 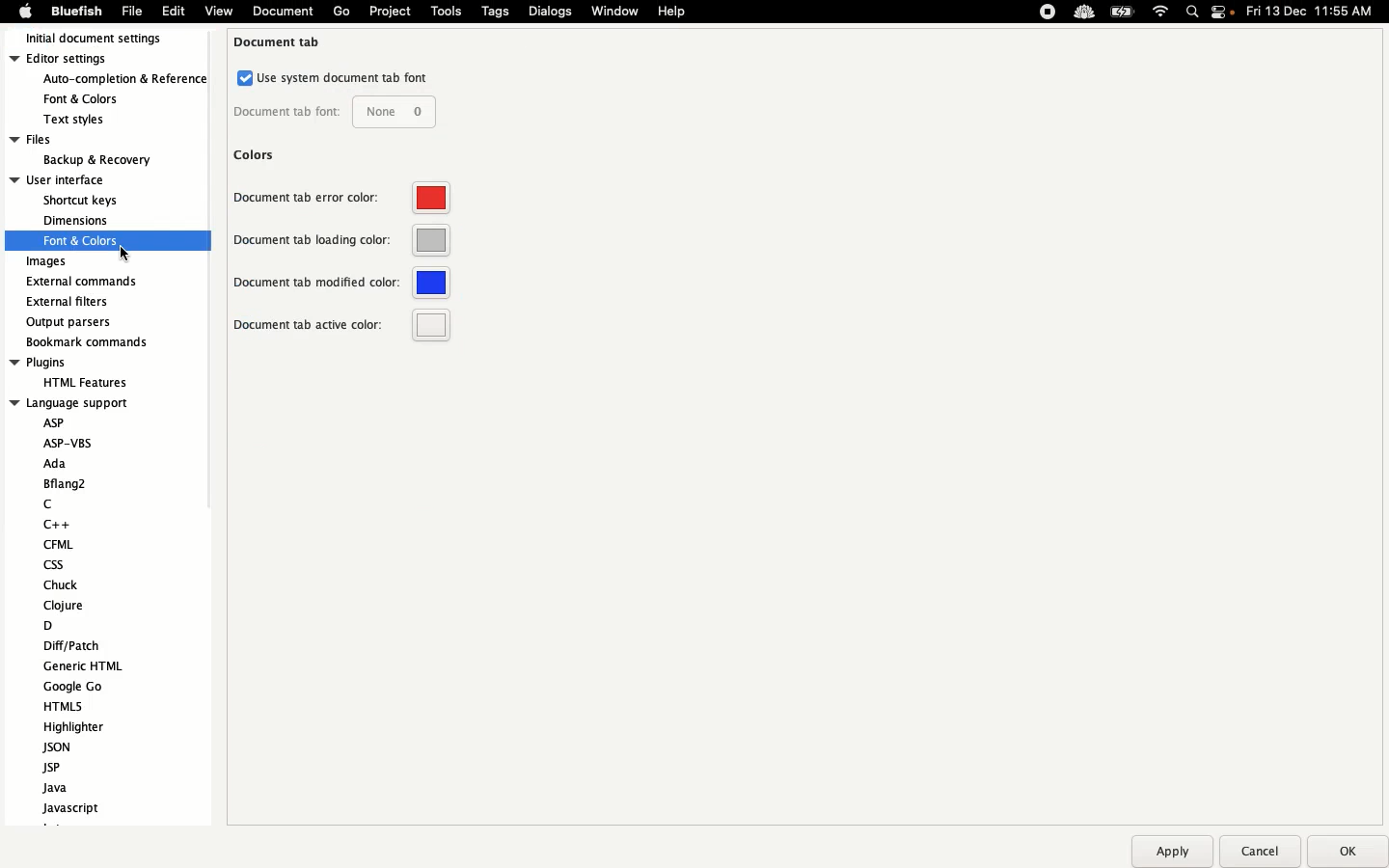 What do you see at coordinates (25, 11) in the screenshot?
I see `Apple logo` at bounding box center [25, 11].